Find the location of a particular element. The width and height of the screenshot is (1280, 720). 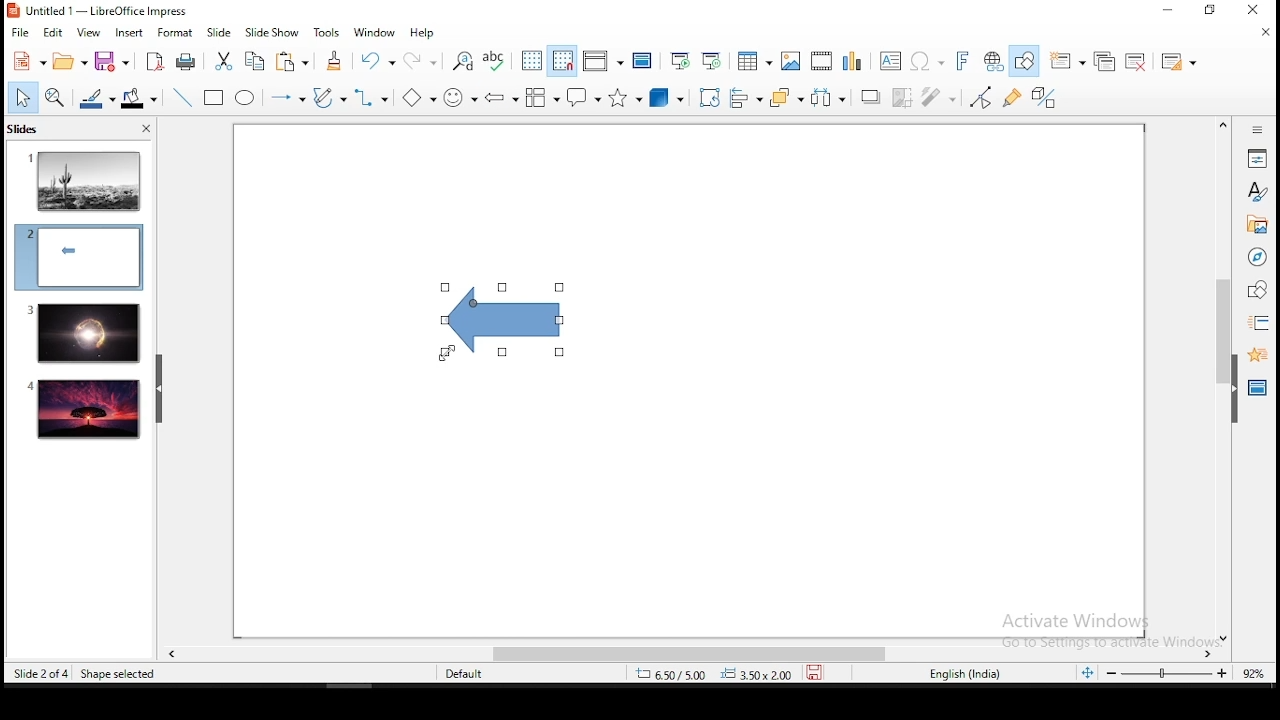

slides is located at coordinates (28, 131).